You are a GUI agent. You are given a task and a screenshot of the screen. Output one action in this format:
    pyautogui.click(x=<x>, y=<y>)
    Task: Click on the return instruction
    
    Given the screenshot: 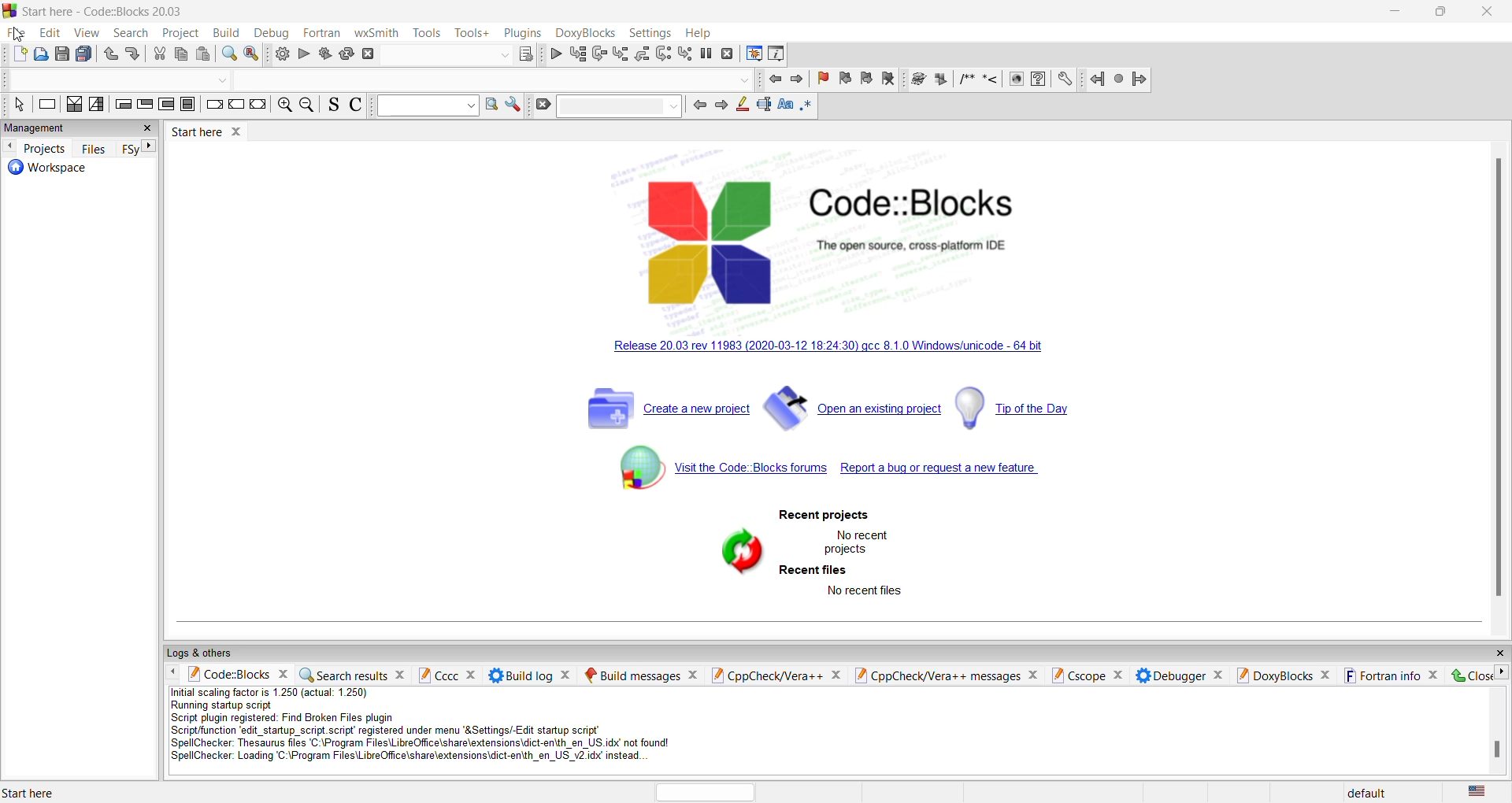 What is the action you would take?
    pyautogui.click(x=258, y=105)
    